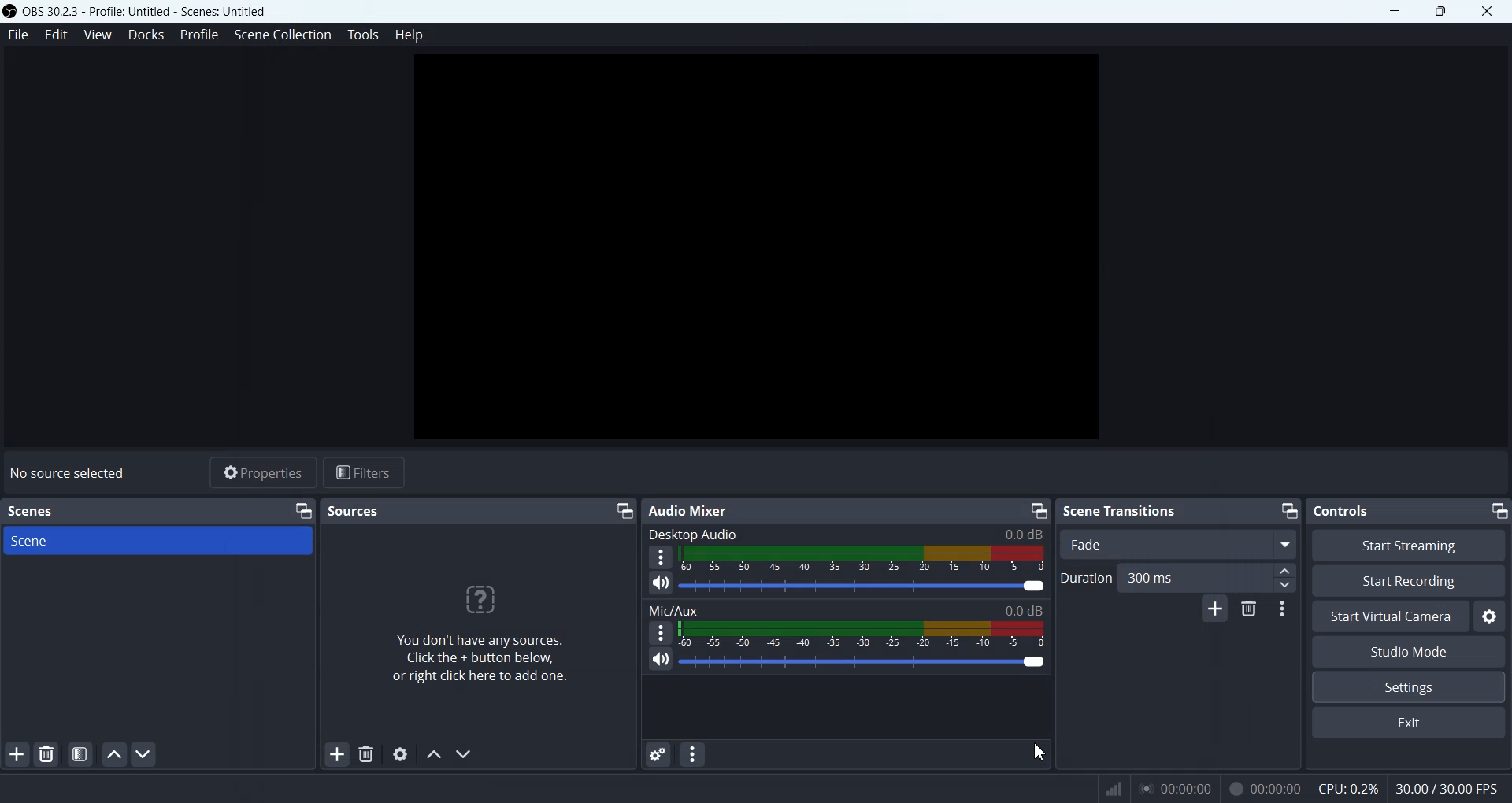 This screenshot has height=803, width=1512. I want to click on Scene Transitions, so click(1123, 511).